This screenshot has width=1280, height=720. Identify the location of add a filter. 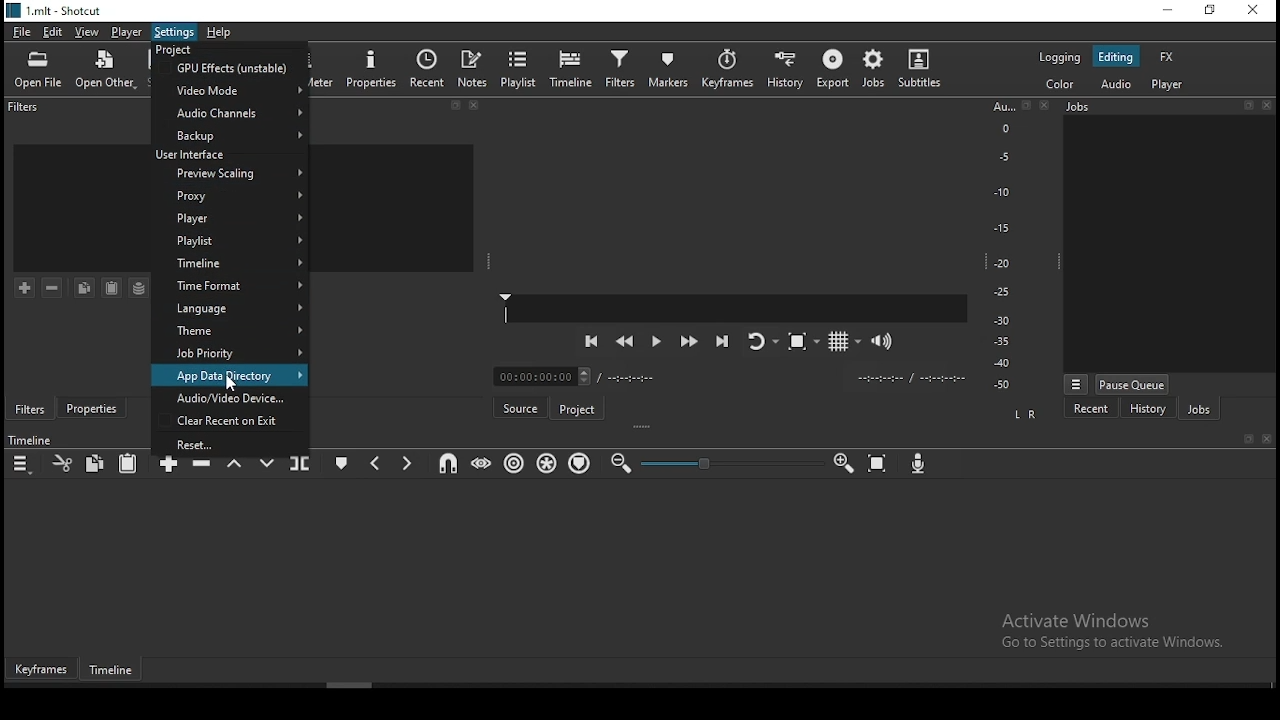
(26, 289).